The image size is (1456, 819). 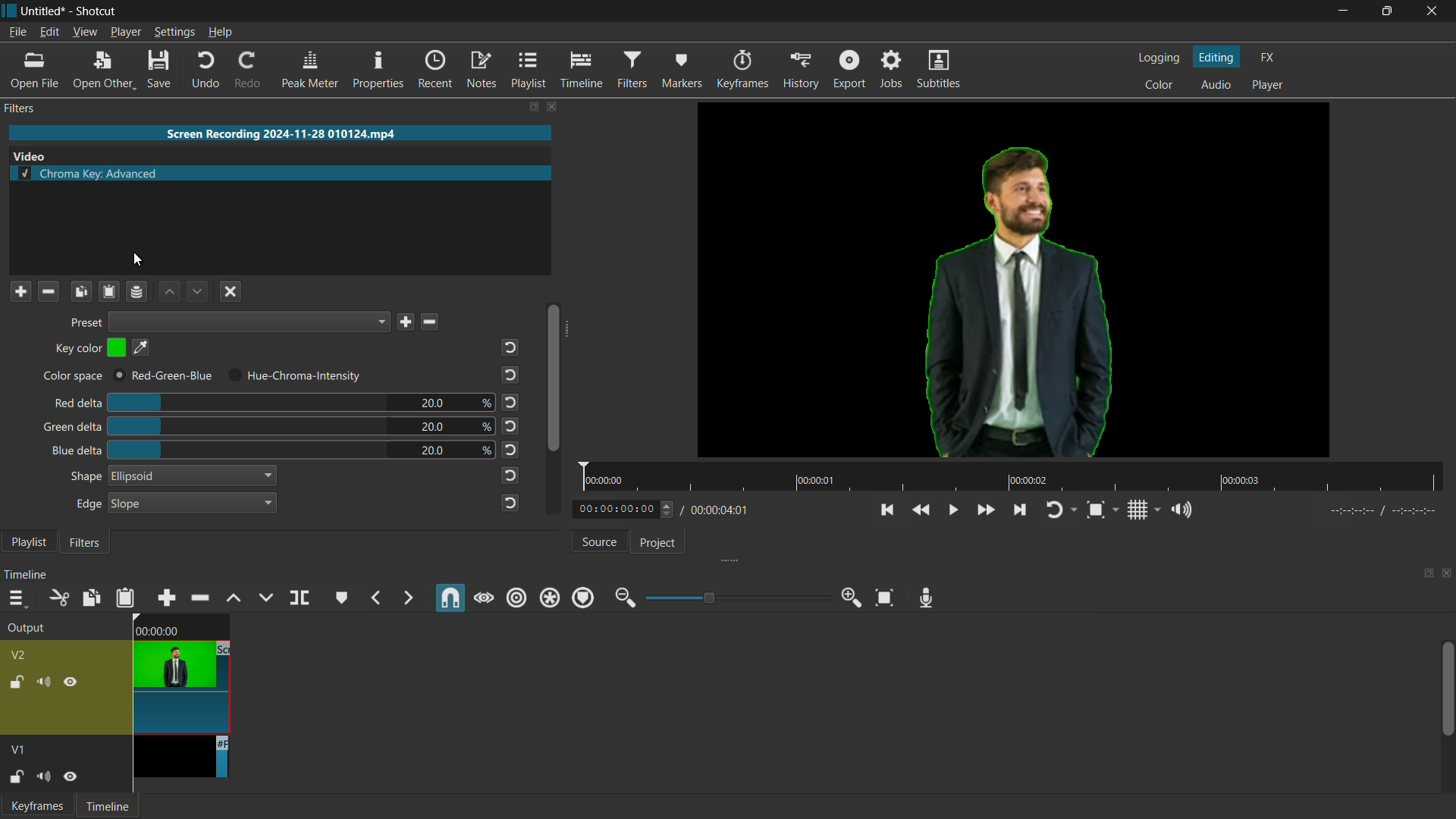 What do you see at coordinates (434, 403) in the screenshot?
I see `20.0` at bounding box center [434, 403].